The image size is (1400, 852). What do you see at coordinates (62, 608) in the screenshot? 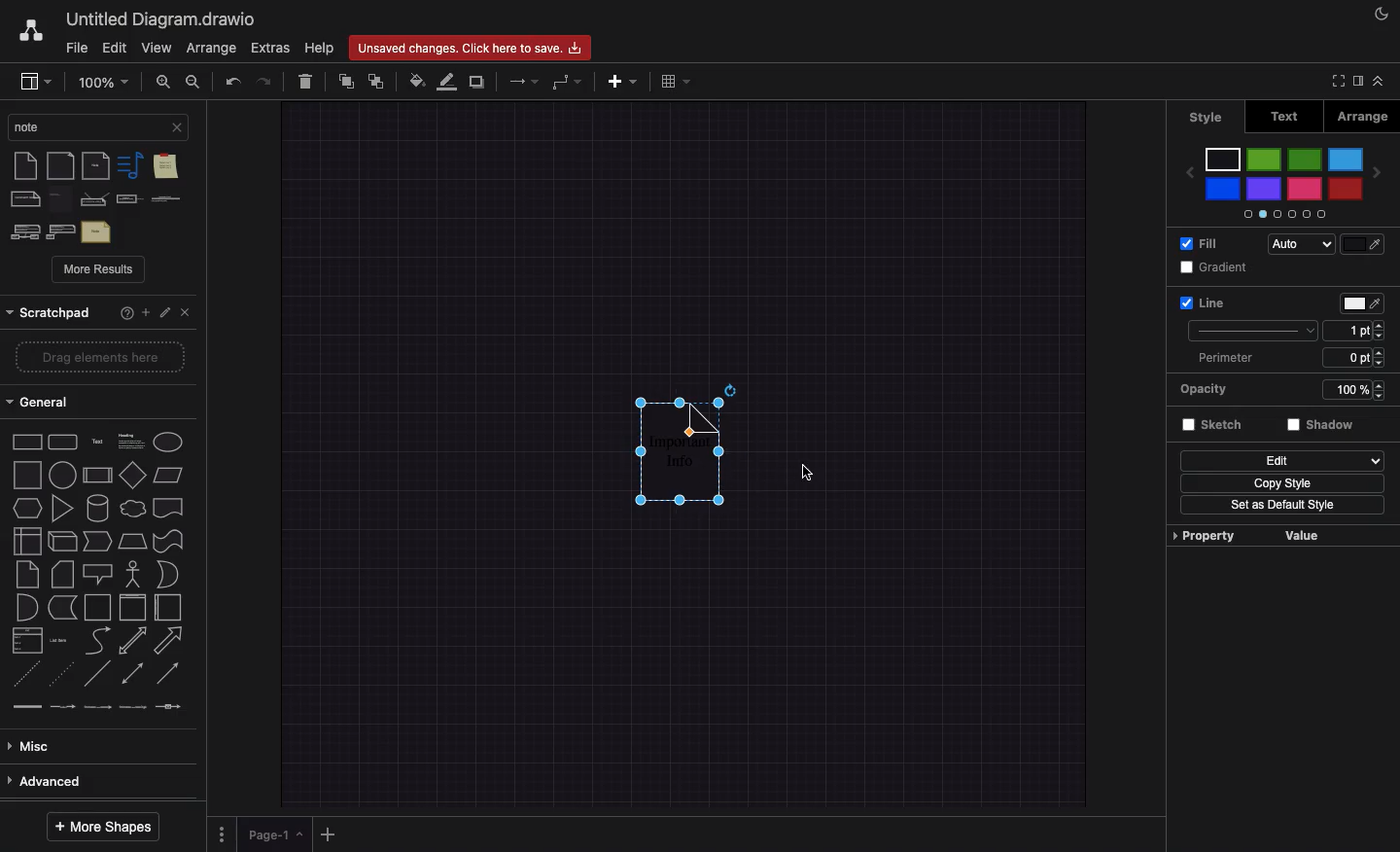
I see `data storage` at bounding box center [62, 608].